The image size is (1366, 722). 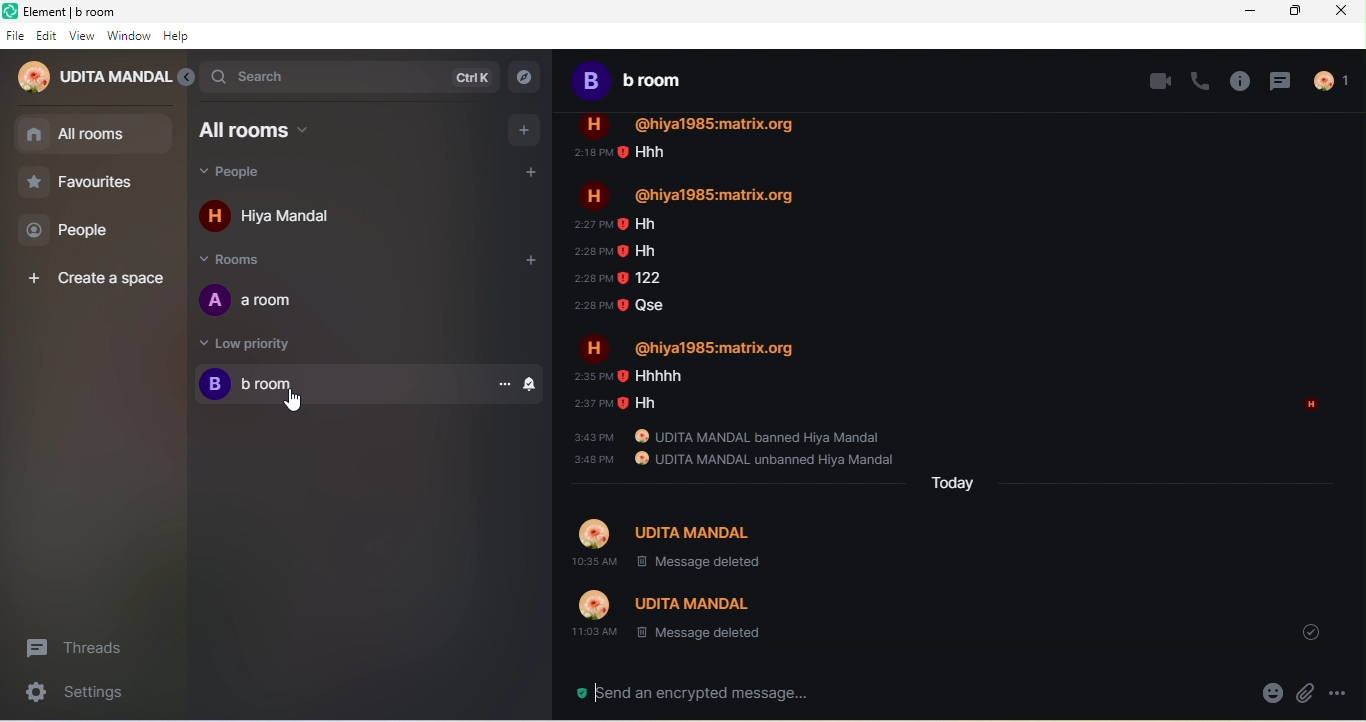 I want to click on threads, so click(x=88, y=643).